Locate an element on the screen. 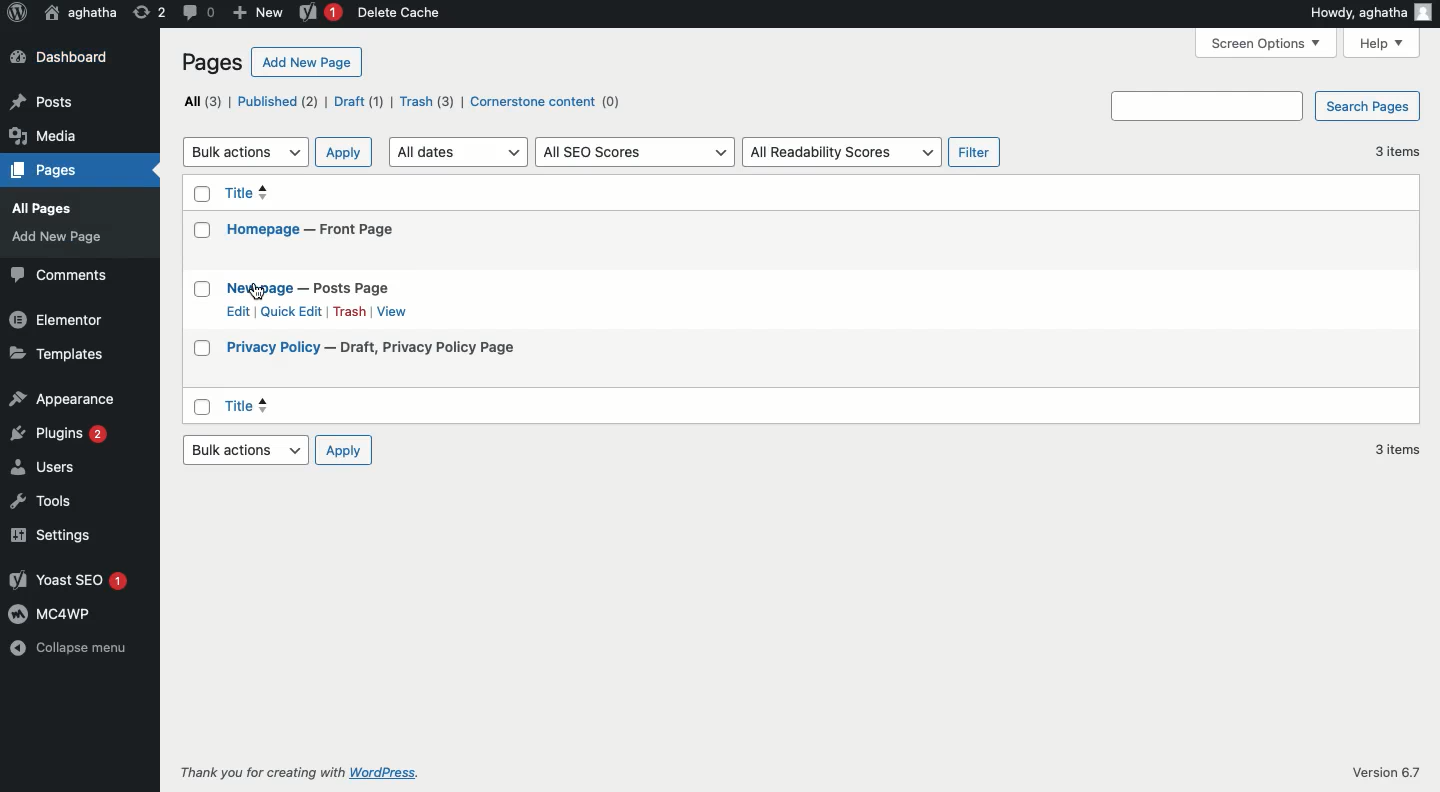  cursor is located at coordinates (260, 292).